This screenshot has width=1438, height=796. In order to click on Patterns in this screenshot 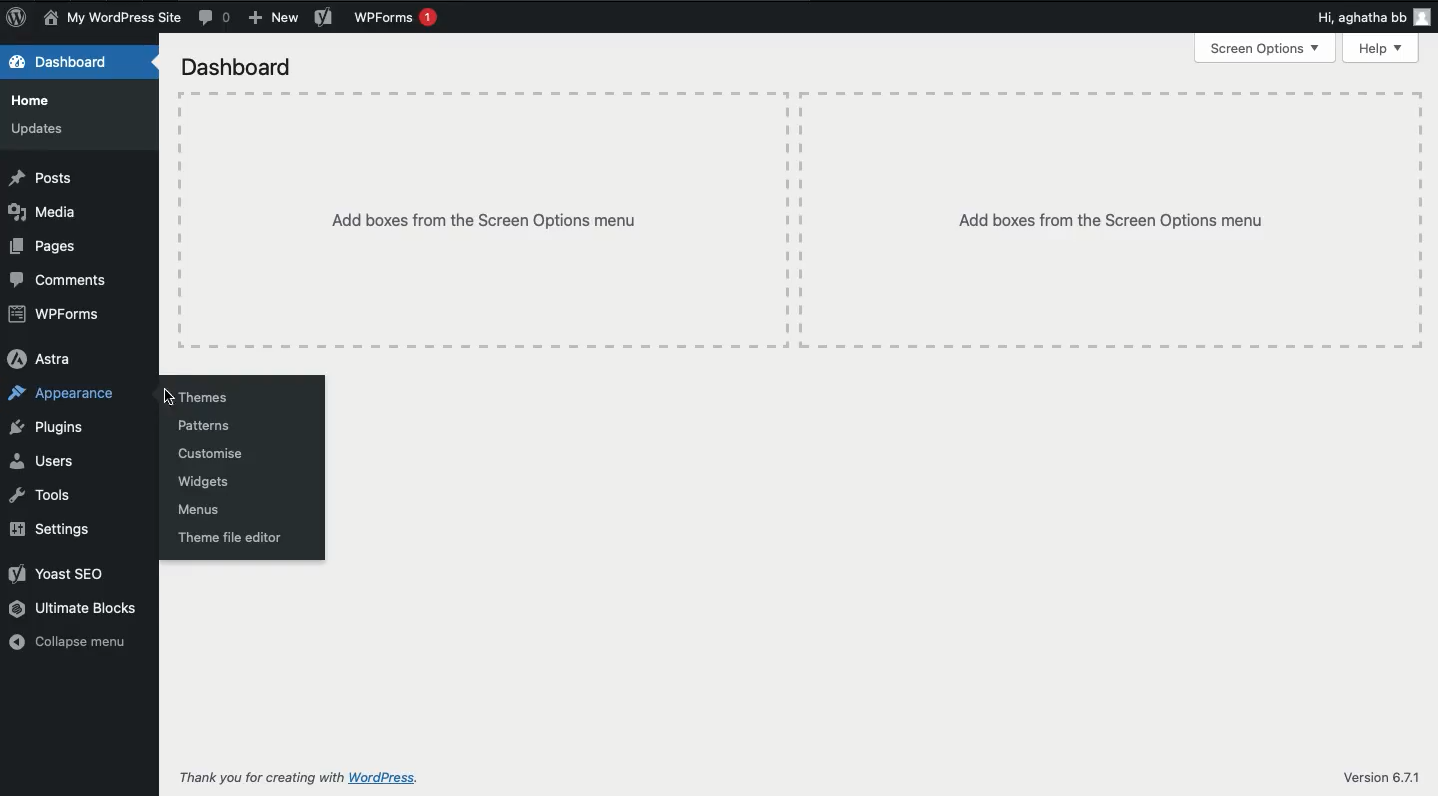, I will do `click(206, 426)`.